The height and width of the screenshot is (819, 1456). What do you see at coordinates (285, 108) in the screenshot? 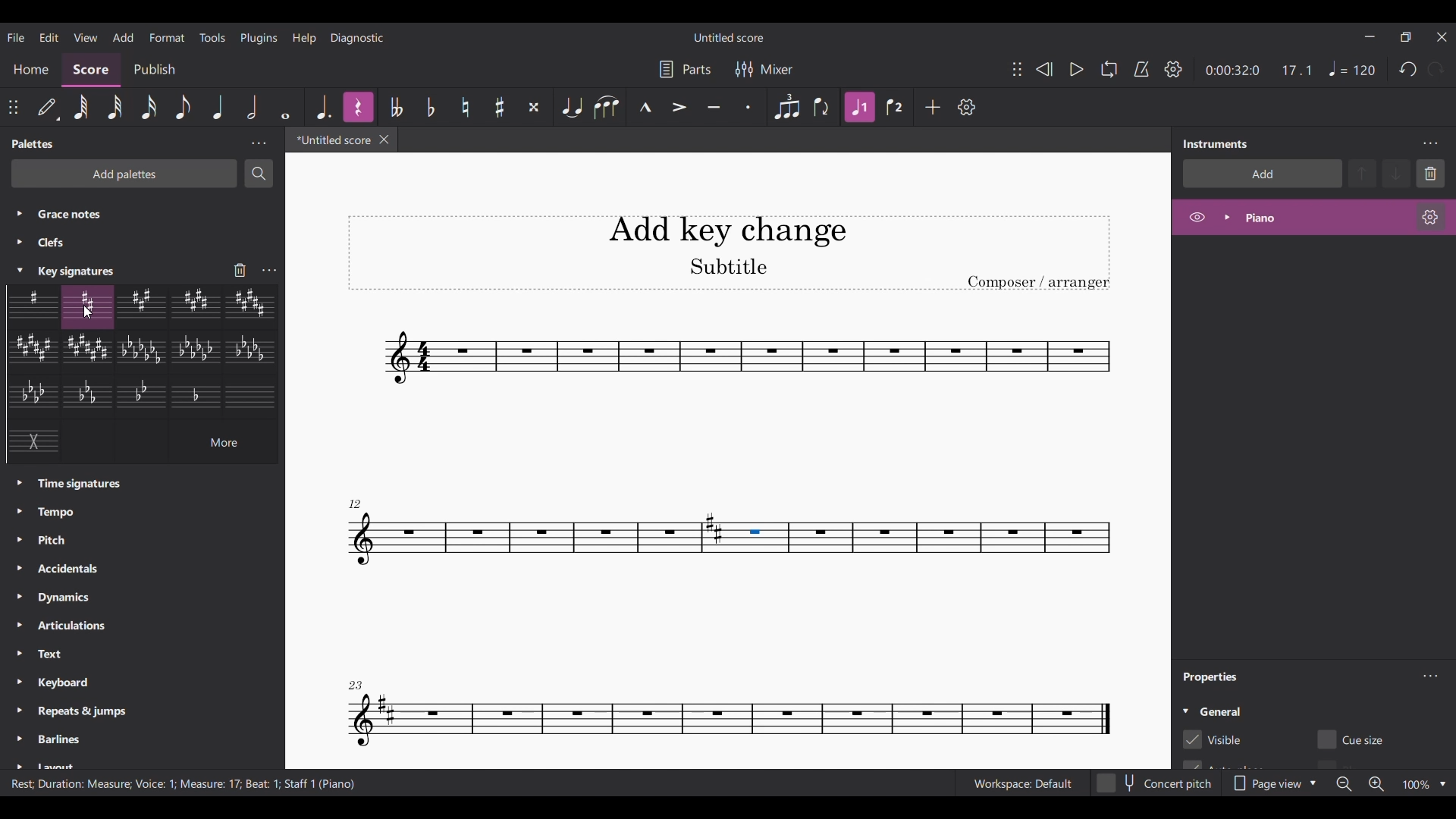
I see `Whole note` at bounding box center [285, 108].